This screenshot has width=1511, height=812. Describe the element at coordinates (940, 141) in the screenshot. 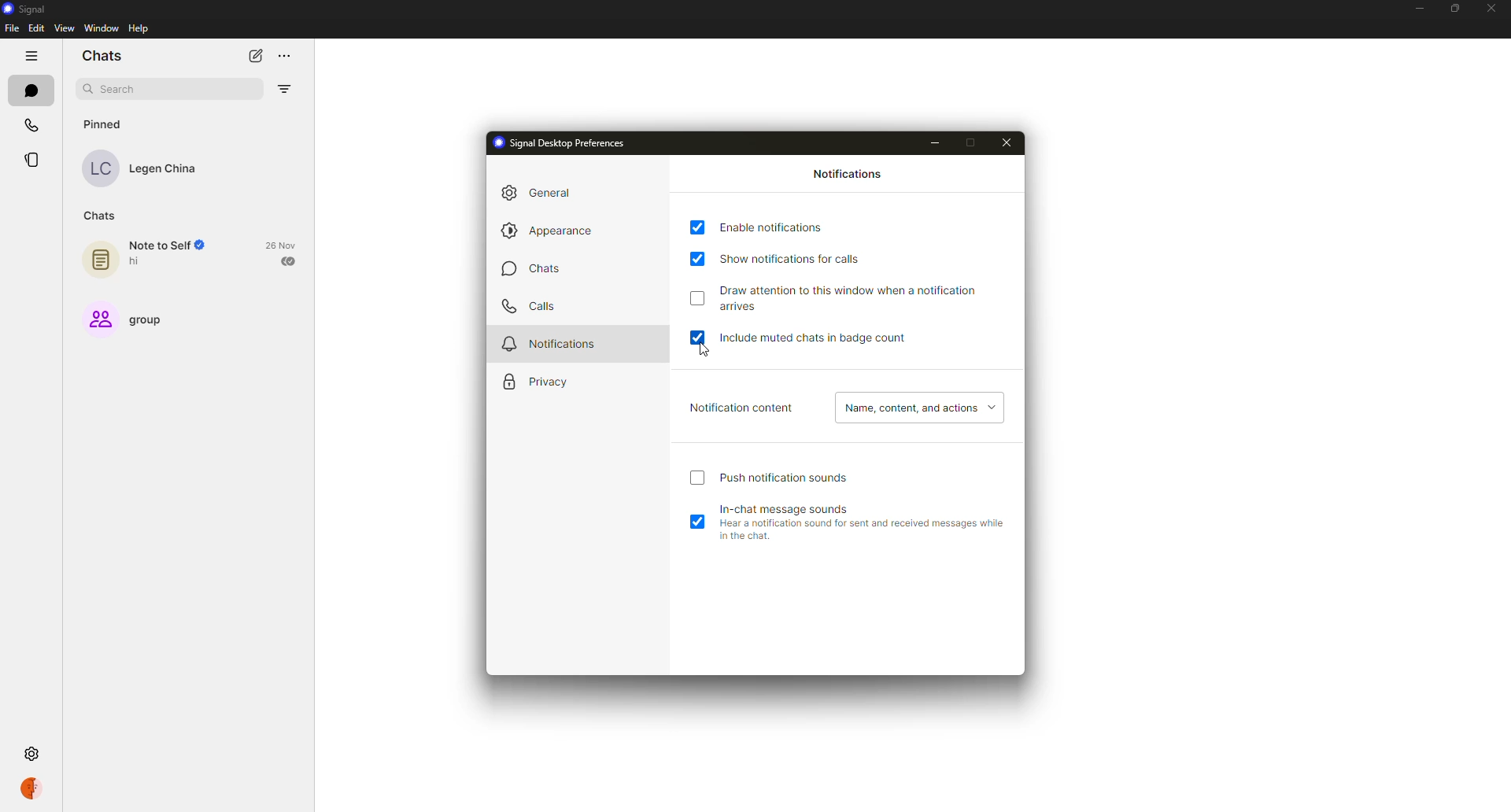

I see `minimize` at that location.